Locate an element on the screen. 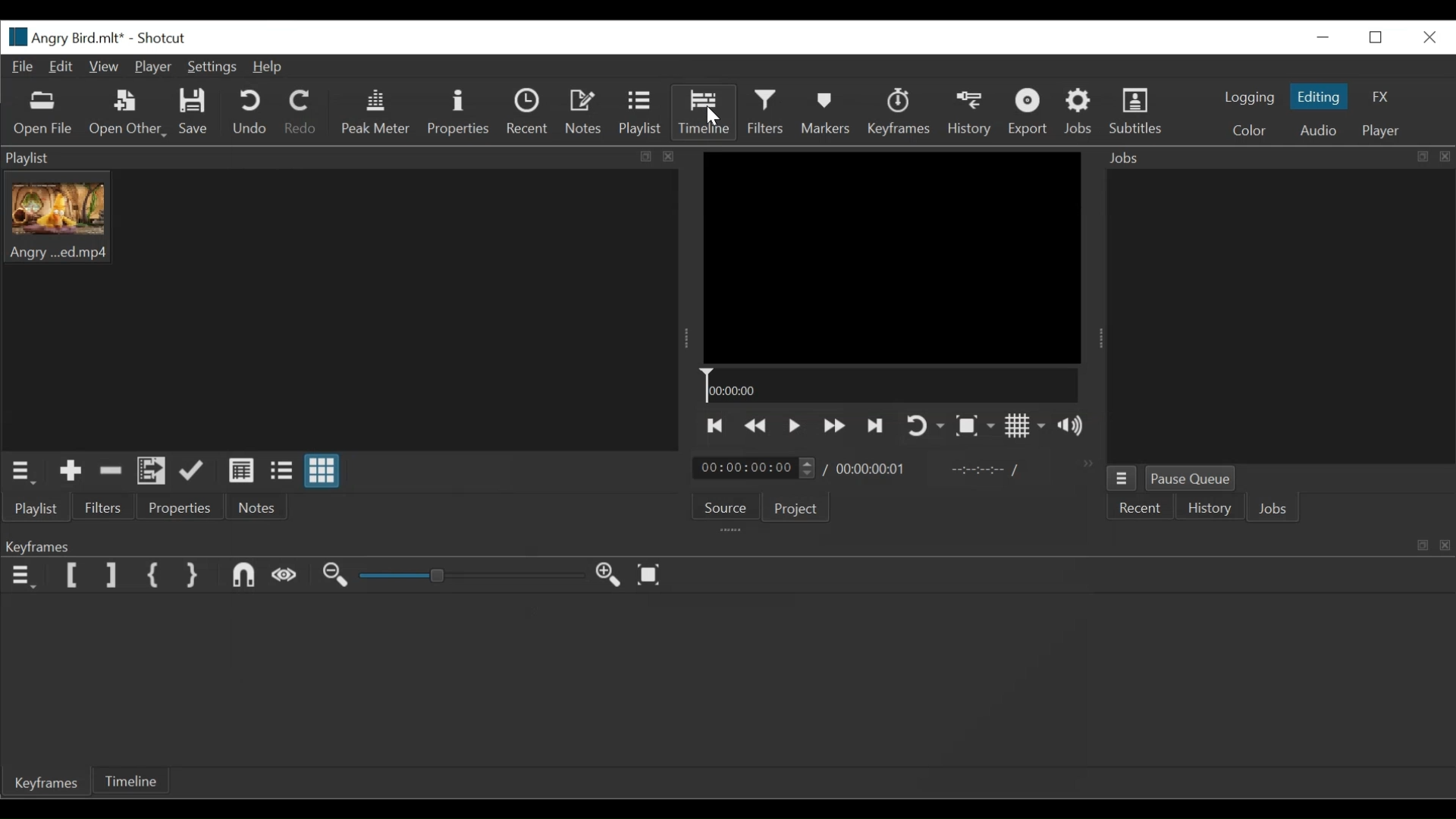 The height and width of the screenshot is (819, 1456). Restore is located at coordinates (1377, 39).